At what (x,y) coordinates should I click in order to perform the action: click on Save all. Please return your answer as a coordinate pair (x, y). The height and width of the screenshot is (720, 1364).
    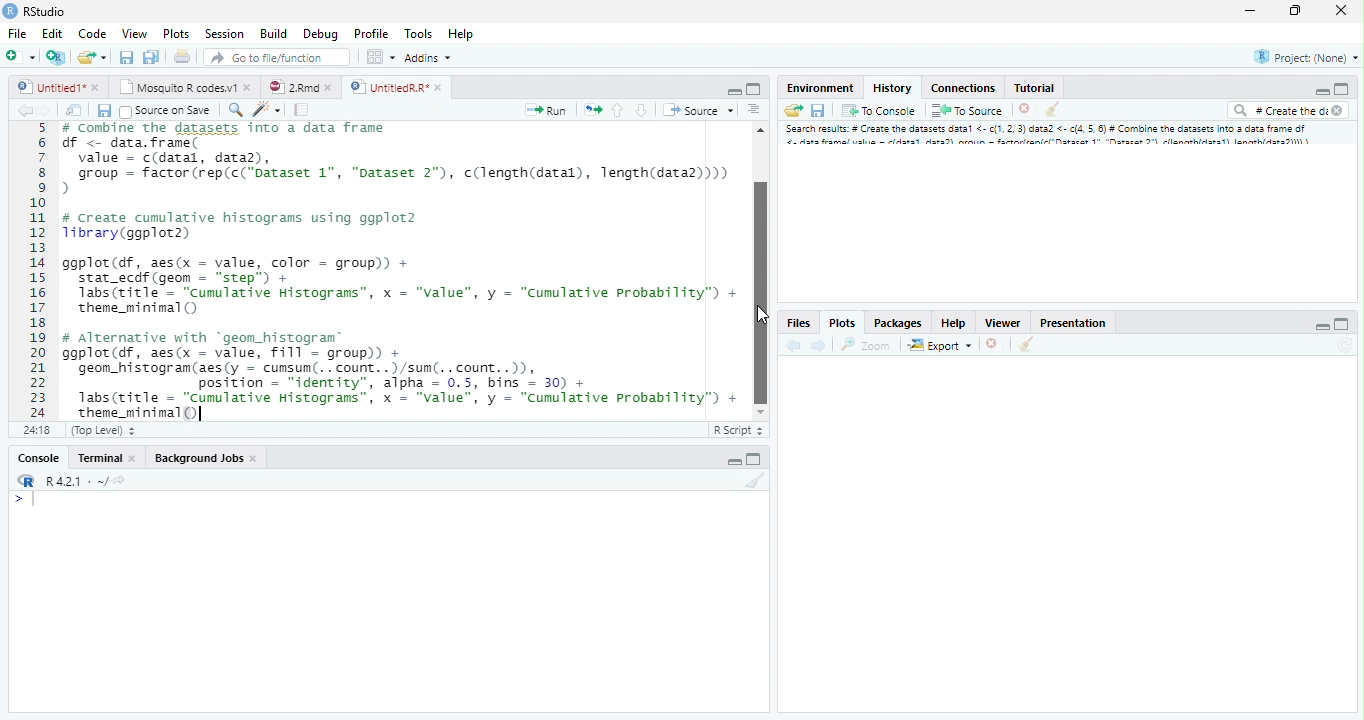
    Looking at the image, I should click on (151, 57).